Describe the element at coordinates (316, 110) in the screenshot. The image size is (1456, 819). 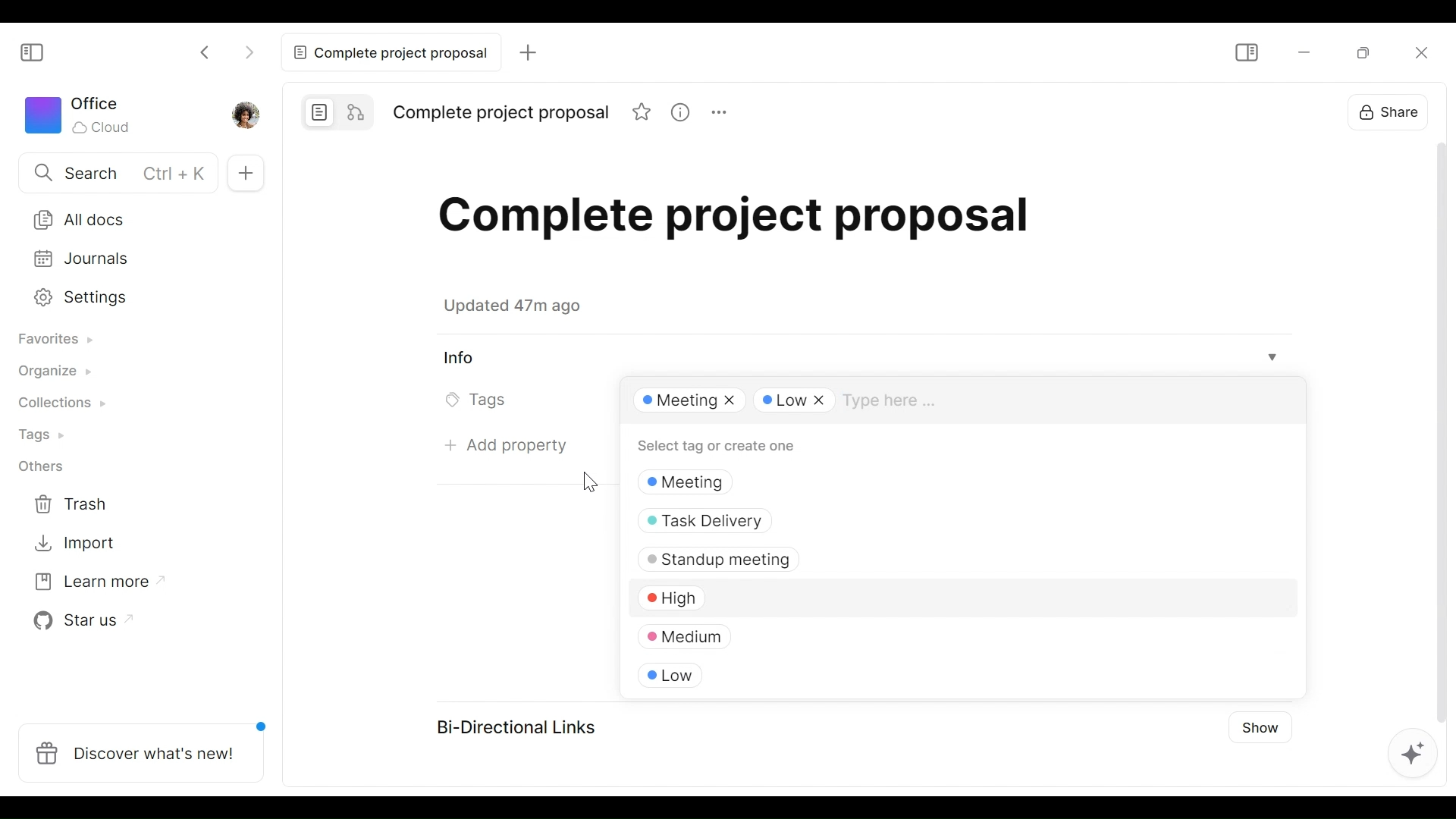
I see `Page mode` at that location.